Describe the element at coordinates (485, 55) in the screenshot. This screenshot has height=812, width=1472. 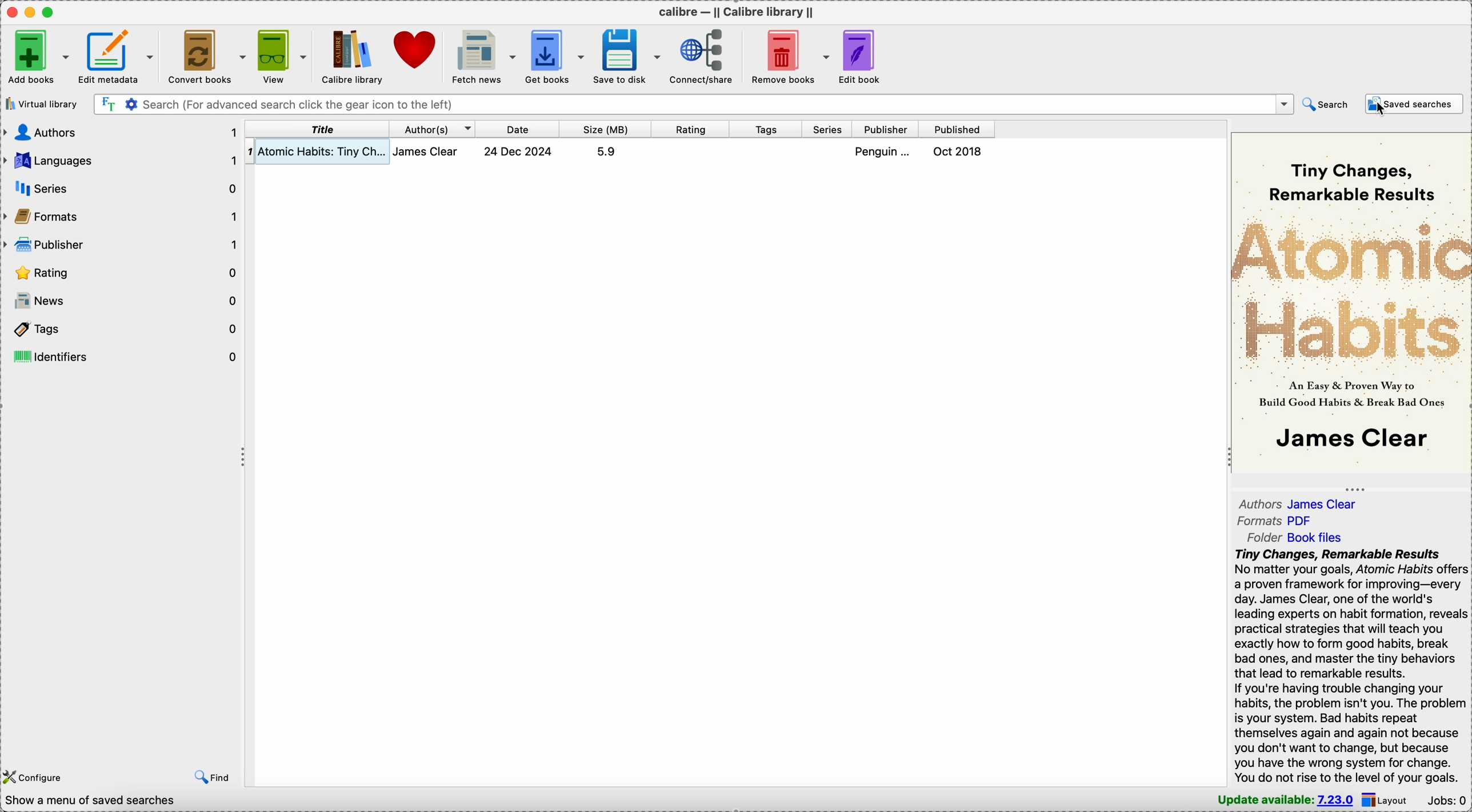
I see `fetch news` at that location.